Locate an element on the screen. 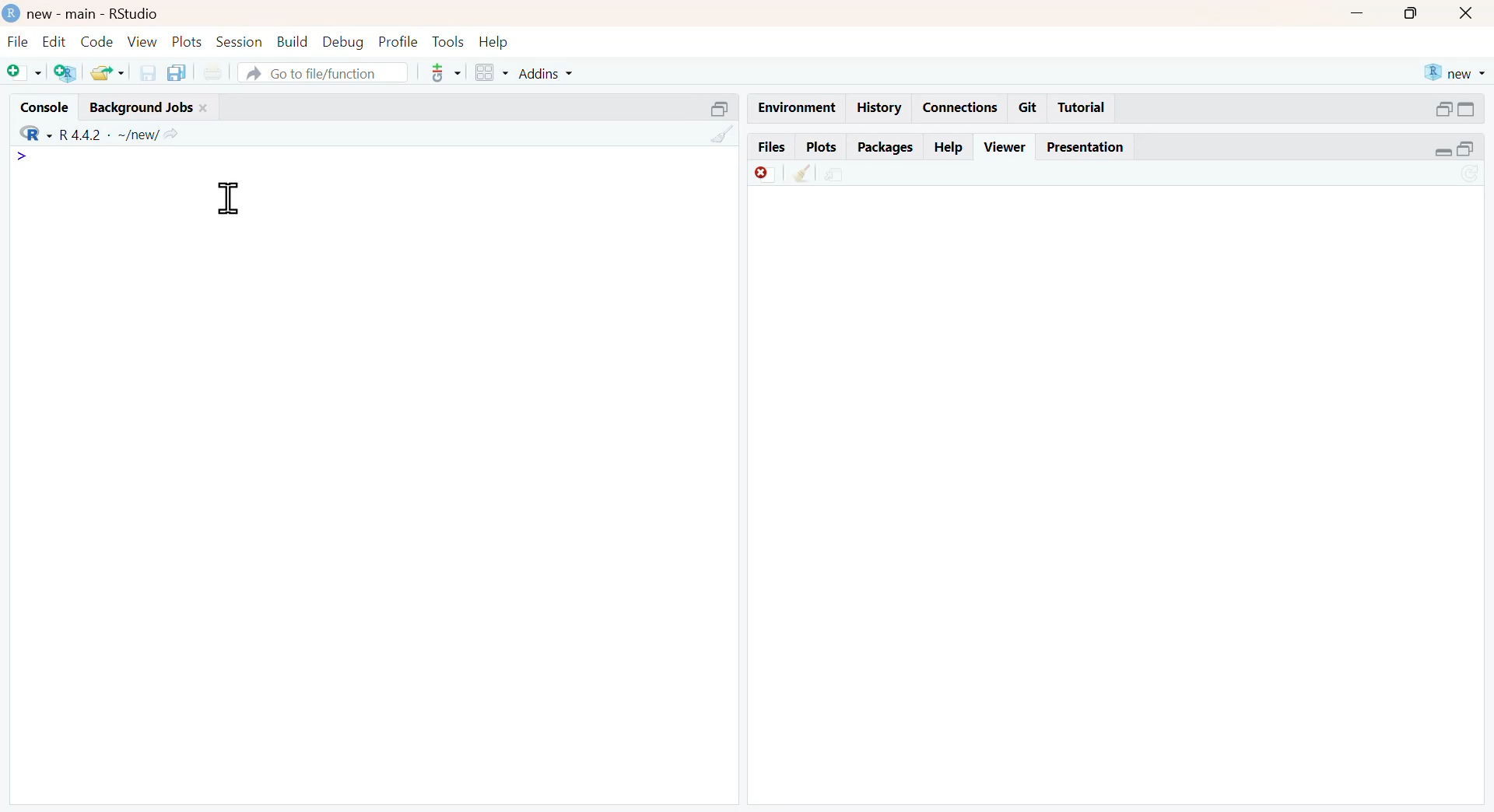 This screenshot has height=812, width=1494. code is located at coordinates (97, 41).